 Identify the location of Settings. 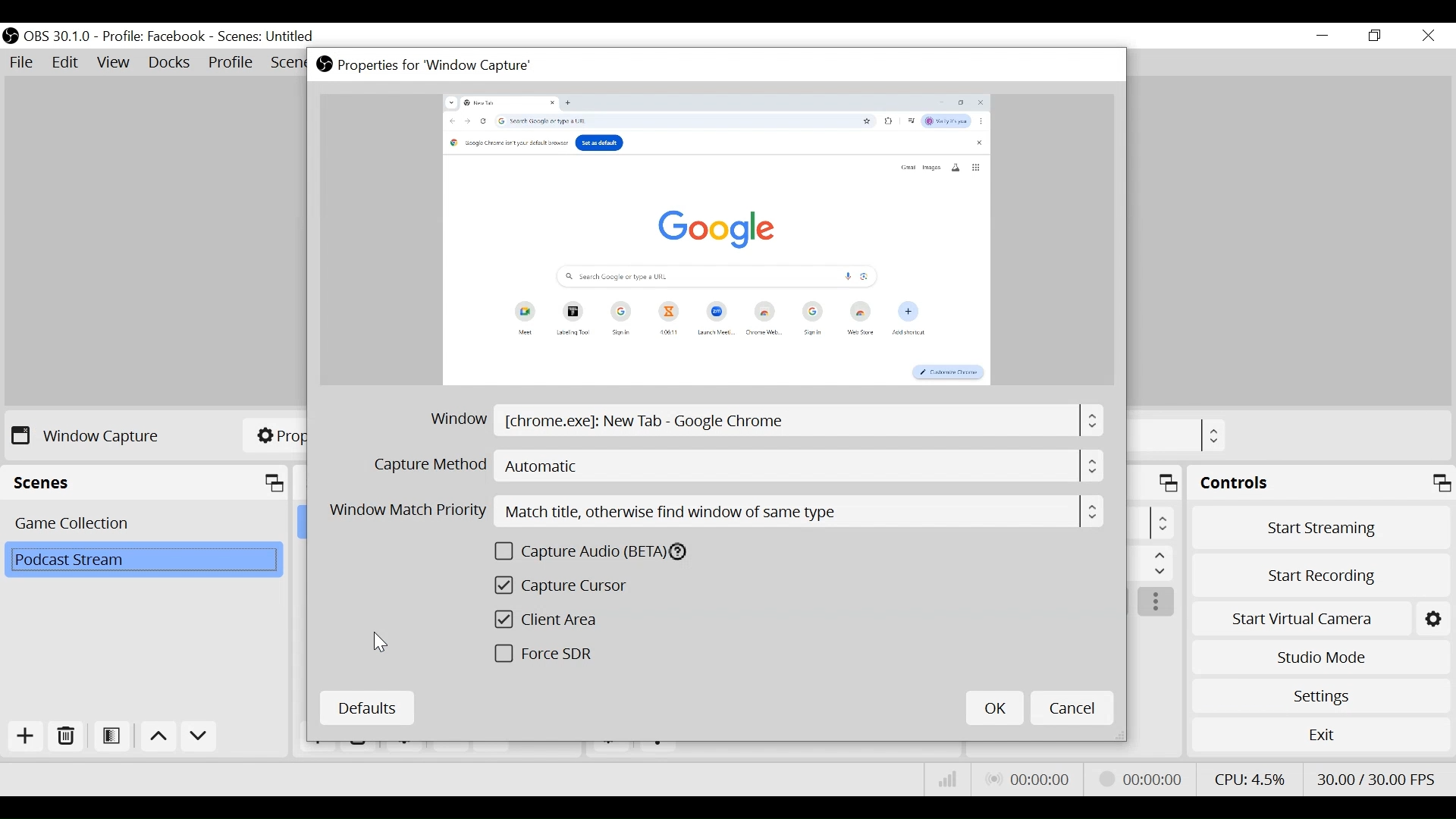
(1320, 696).